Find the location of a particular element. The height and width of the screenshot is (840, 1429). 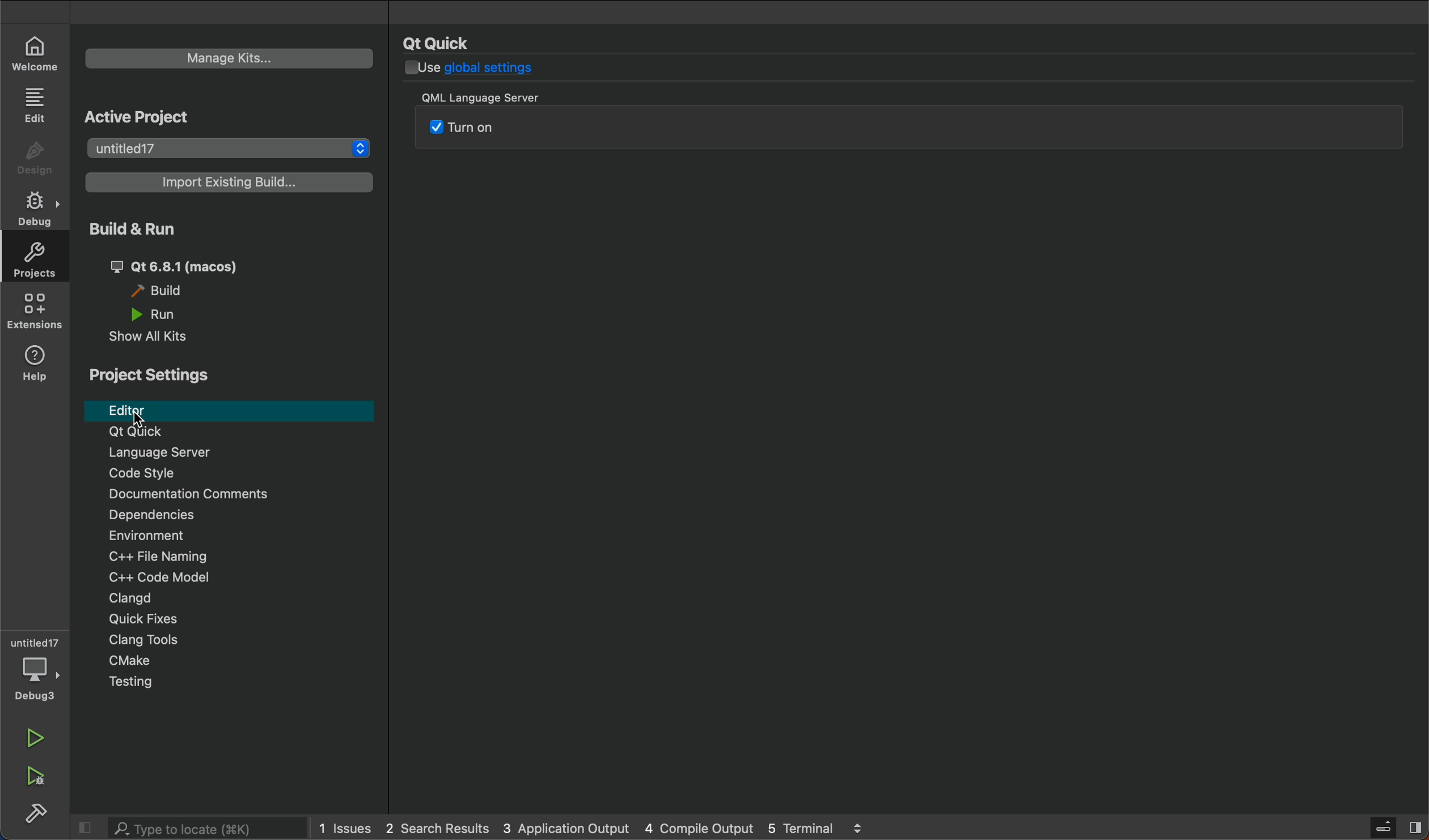

file naming is located at coordinates (218, 554).